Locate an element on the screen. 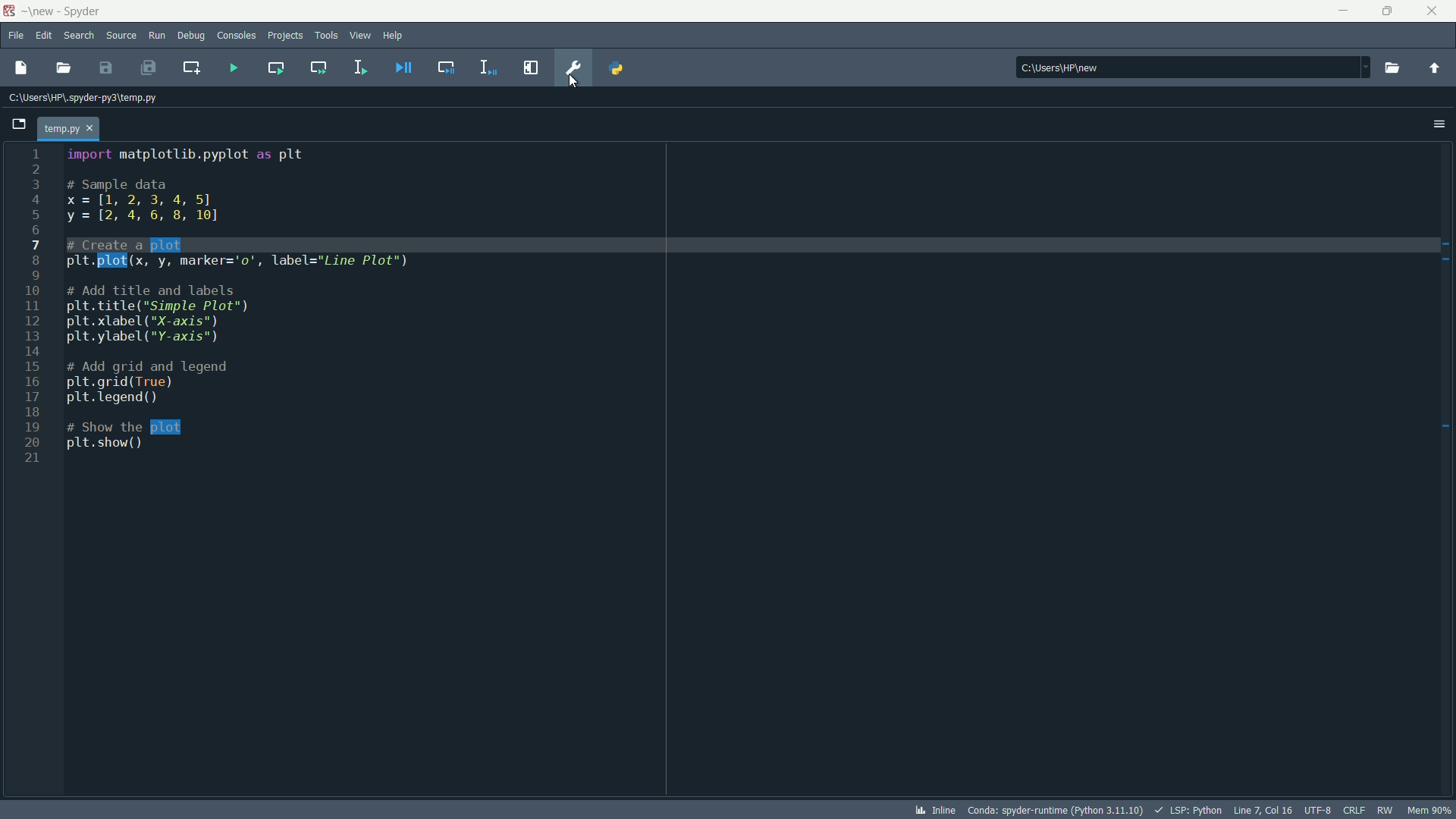  code to create a line plot between x and y variables is located at coordinates (235, 300).